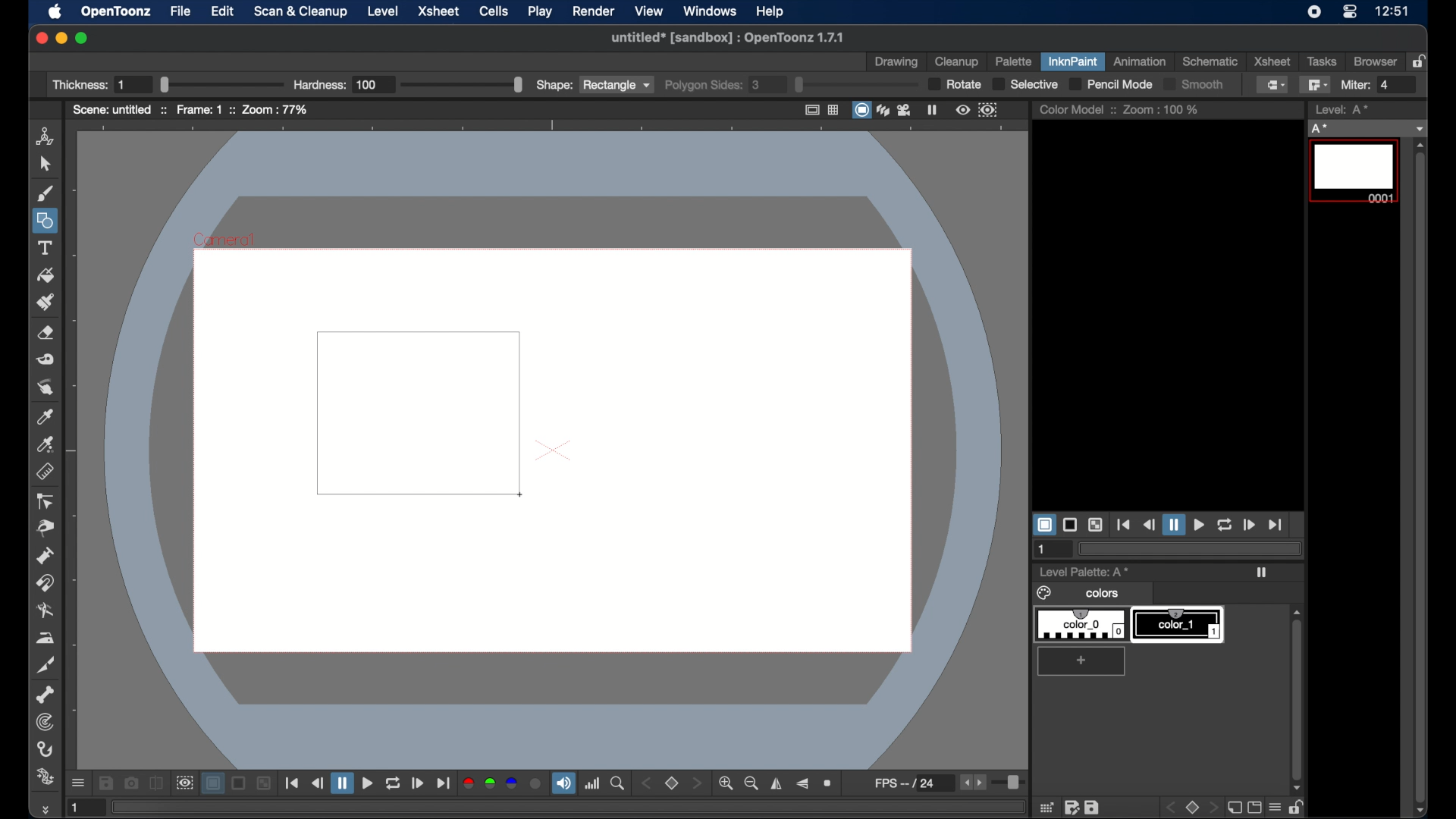 Image resolution: width=1456 pixels, height=819 pixels. I want to click on rewind, so click(317, 783).